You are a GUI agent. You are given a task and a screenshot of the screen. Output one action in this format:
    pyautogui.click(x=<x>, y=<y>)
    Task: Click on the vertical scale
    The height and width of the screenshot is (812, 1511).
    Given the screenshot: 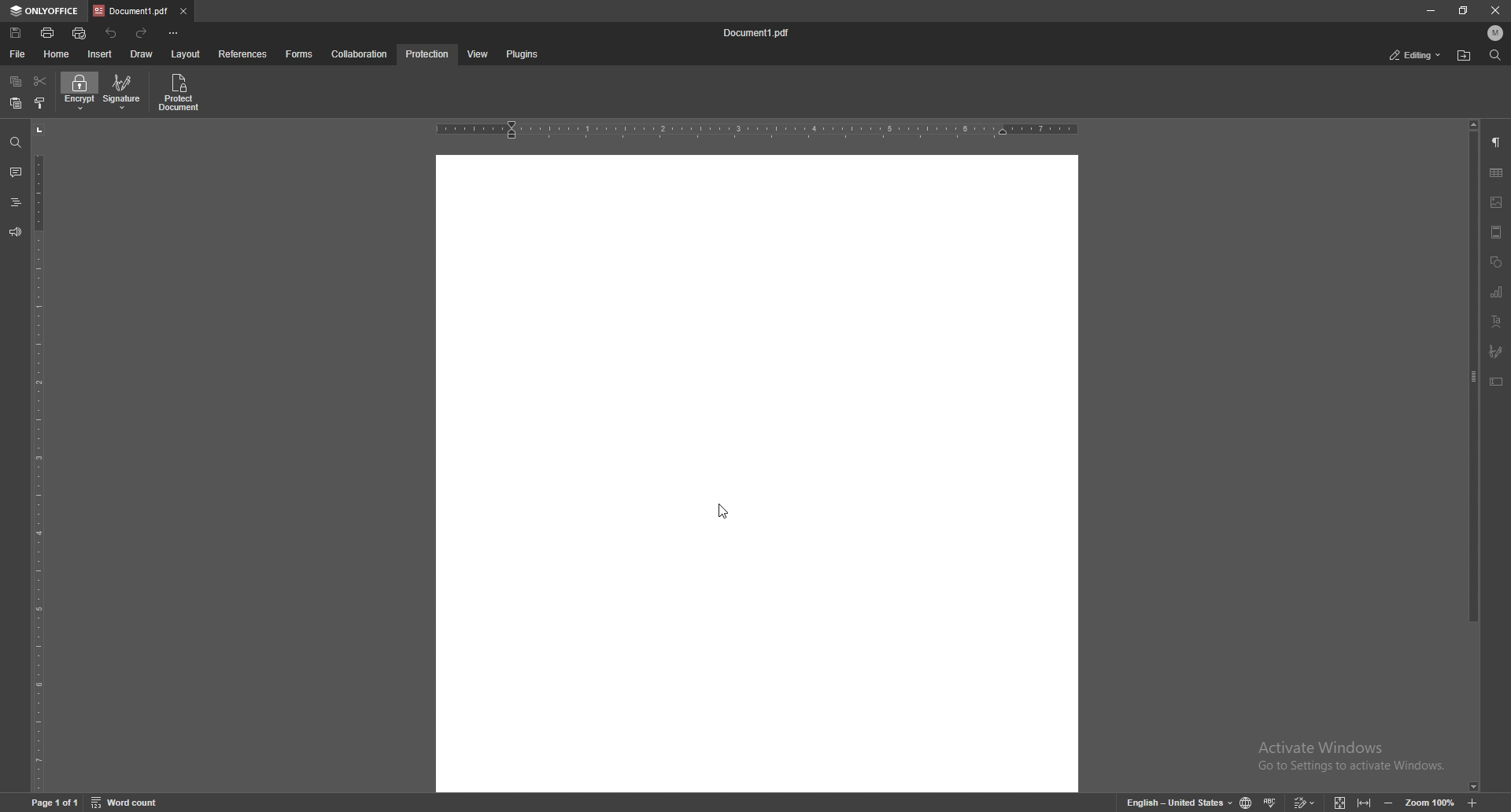 What is the action you would take?
    pyautogui.click(x=38, y=456)
    